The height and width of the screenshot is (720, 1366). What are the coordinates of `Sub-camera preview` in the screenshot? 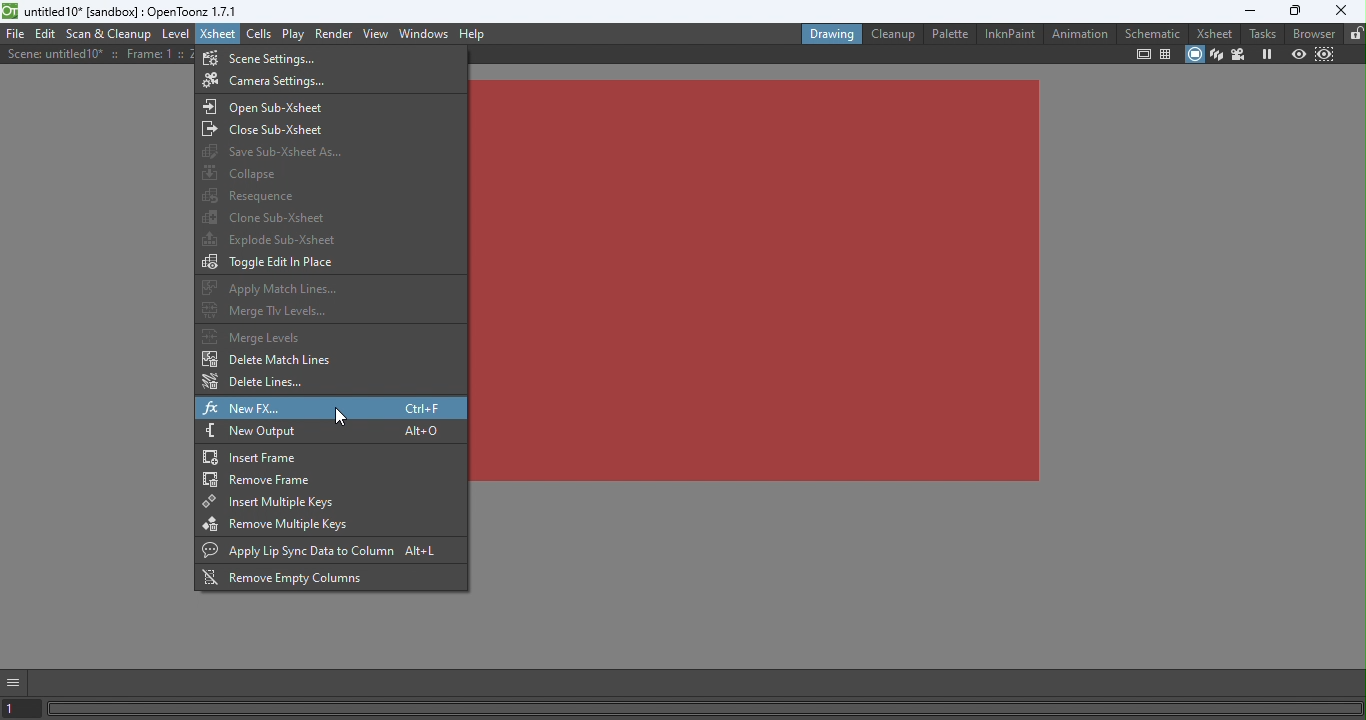 It's located at (1325, 55).